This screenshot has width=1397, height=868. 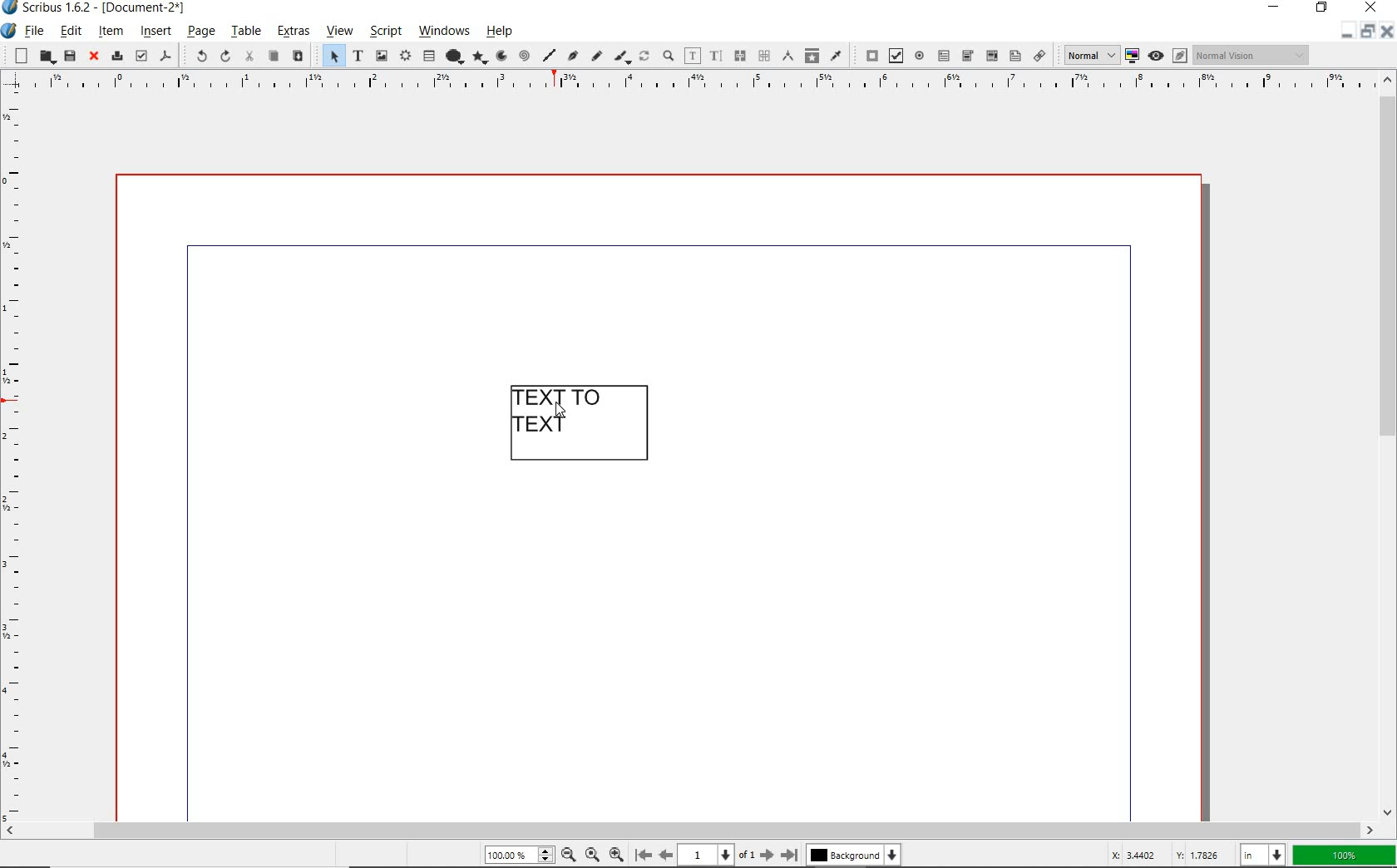 What do you see at coordinates (1370, 34) in the screenshot?
I see `restore` at bounding box center [1370, 34].